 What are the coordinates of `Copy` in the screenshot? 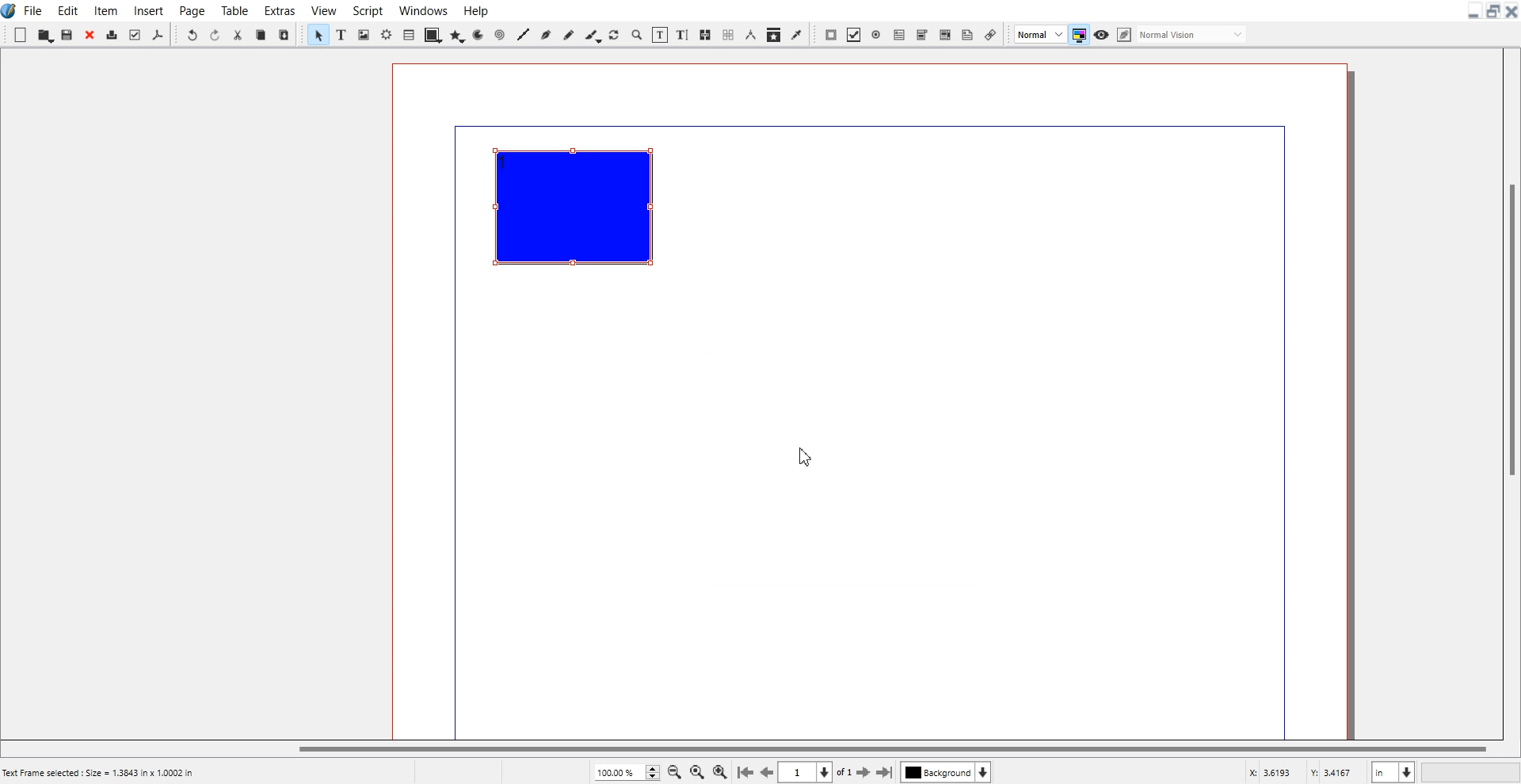 It's located at (261, 33).